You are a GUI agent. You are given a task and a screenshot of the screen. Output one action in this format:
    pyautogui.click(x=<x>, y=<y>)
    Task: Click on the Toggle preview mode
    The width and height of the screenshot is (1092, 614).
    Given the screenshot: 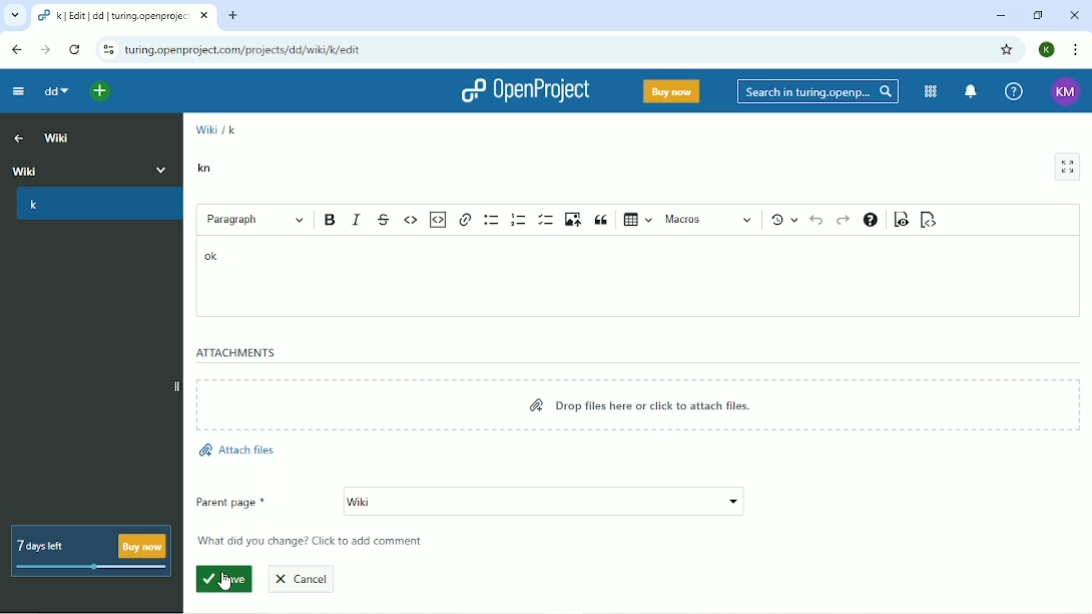 What is the action you would take?
    pyautogui.click(x=901, y=220)
    